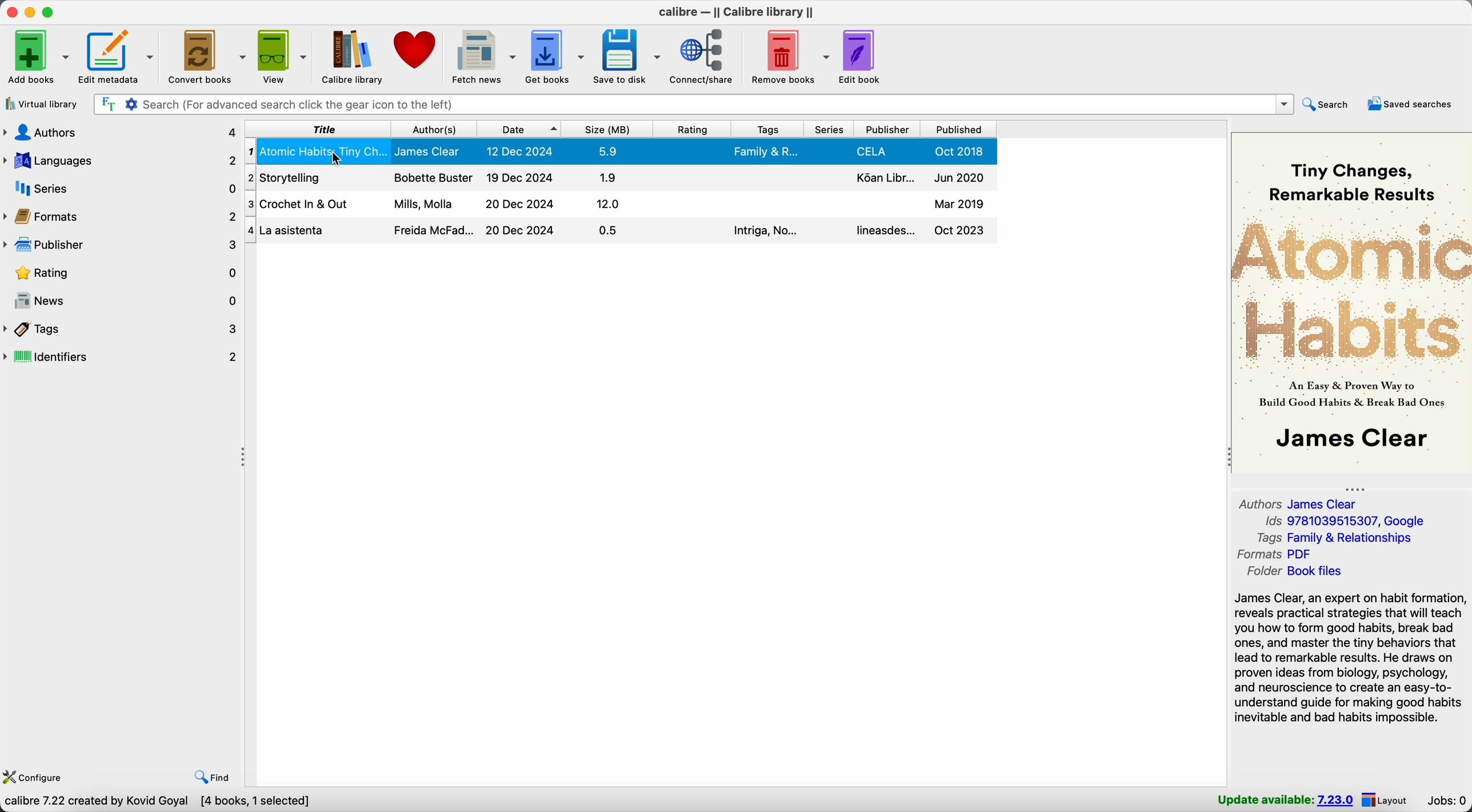 The height and width of the screenshot is (812, 1472). I want to click on Calibre library, so click(353, 55).